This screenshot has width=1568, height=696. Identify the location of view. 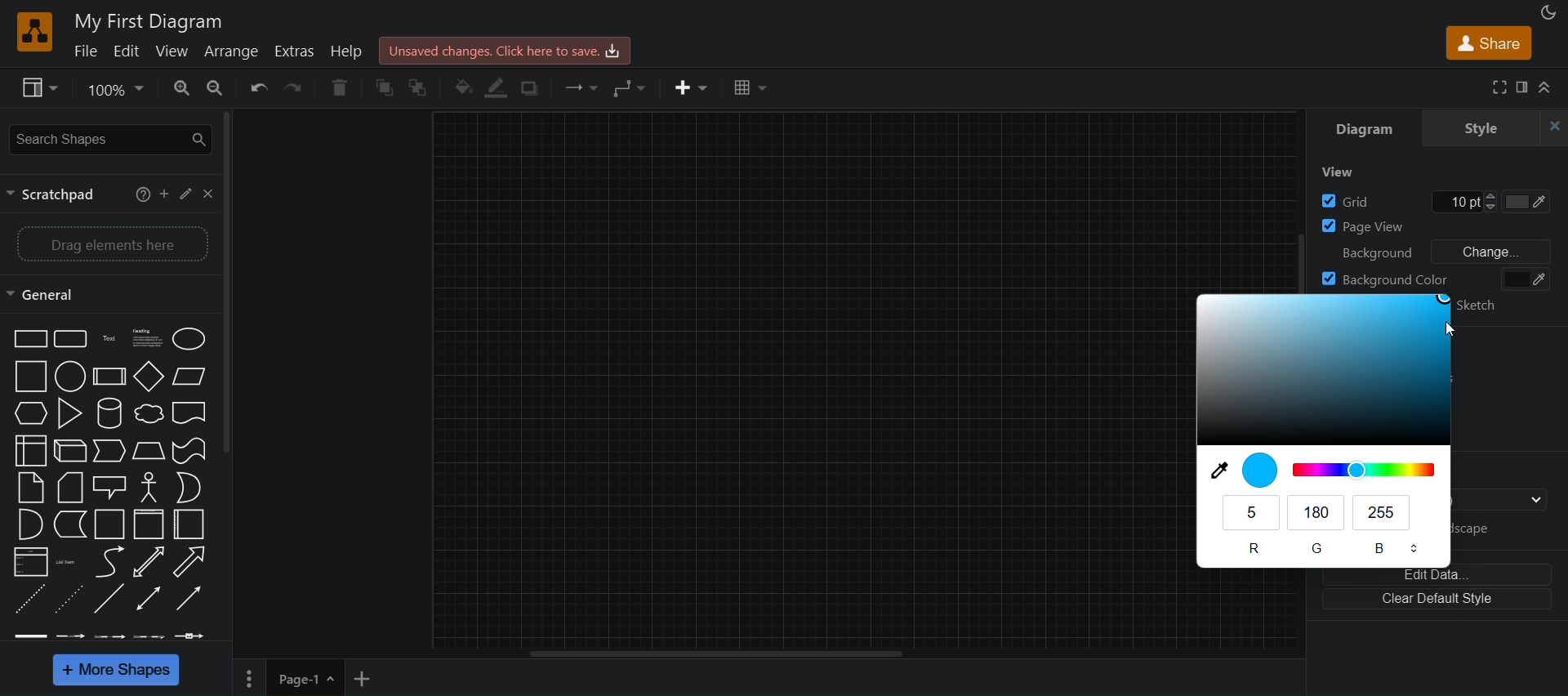
(39, 88).